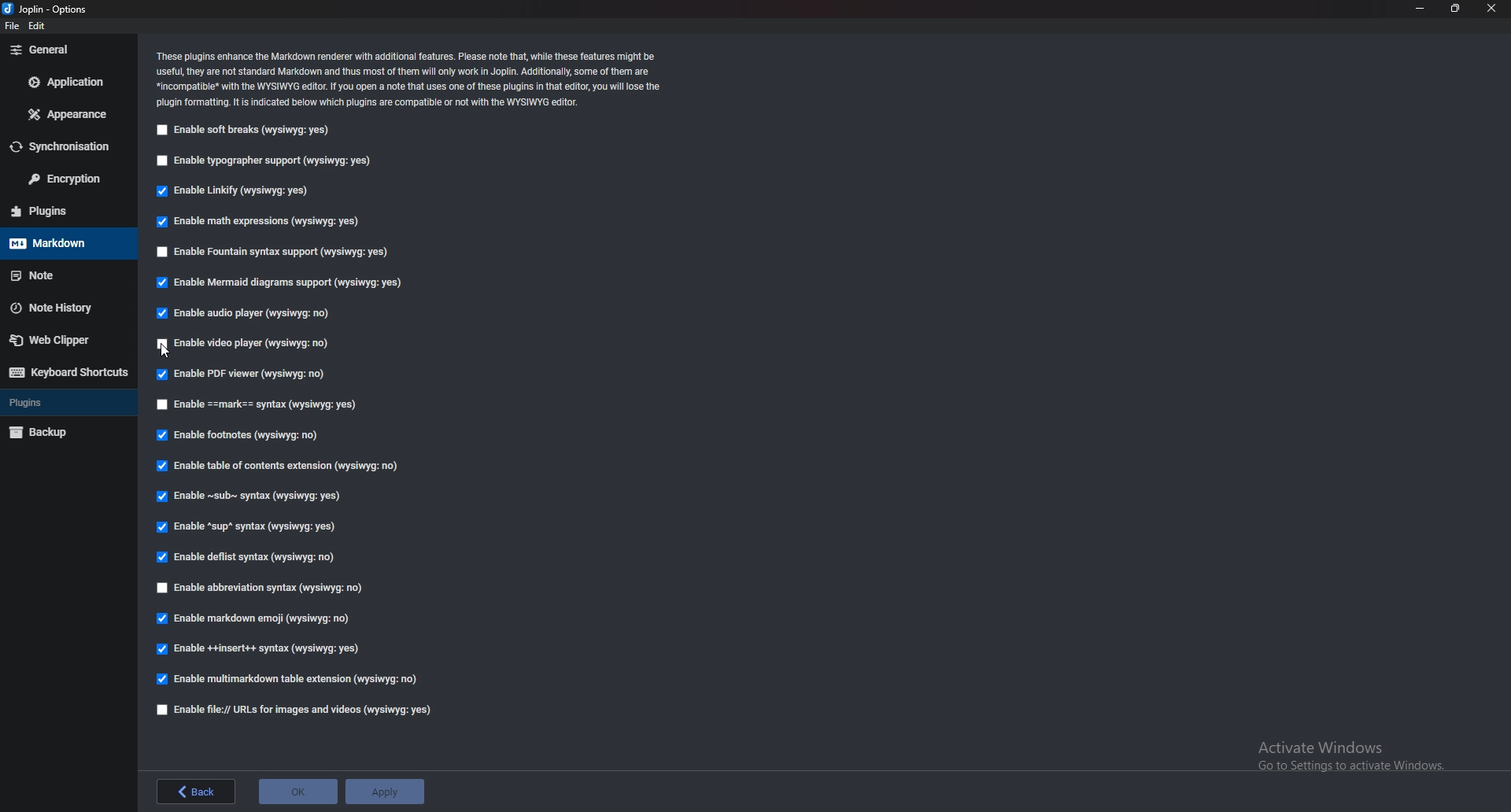 This screenshot has width=1511, height=812. Describe the element at coordinates (297, 792) in the screenshot. I see `ok` at that location.